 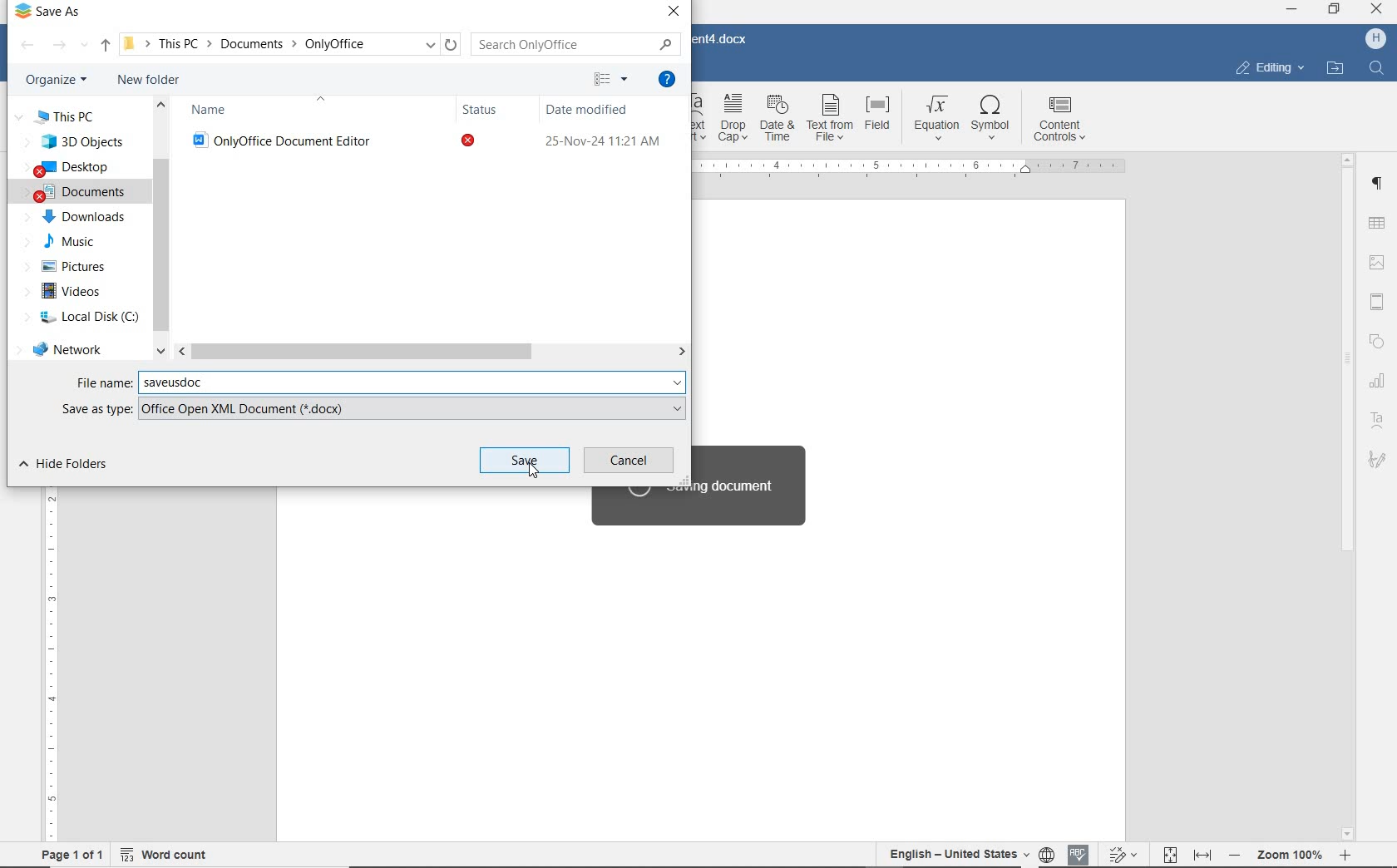 What do you see at coordinates (609, 80) in the screenshot?
I see `change your view` at bounding box center [609, 80].